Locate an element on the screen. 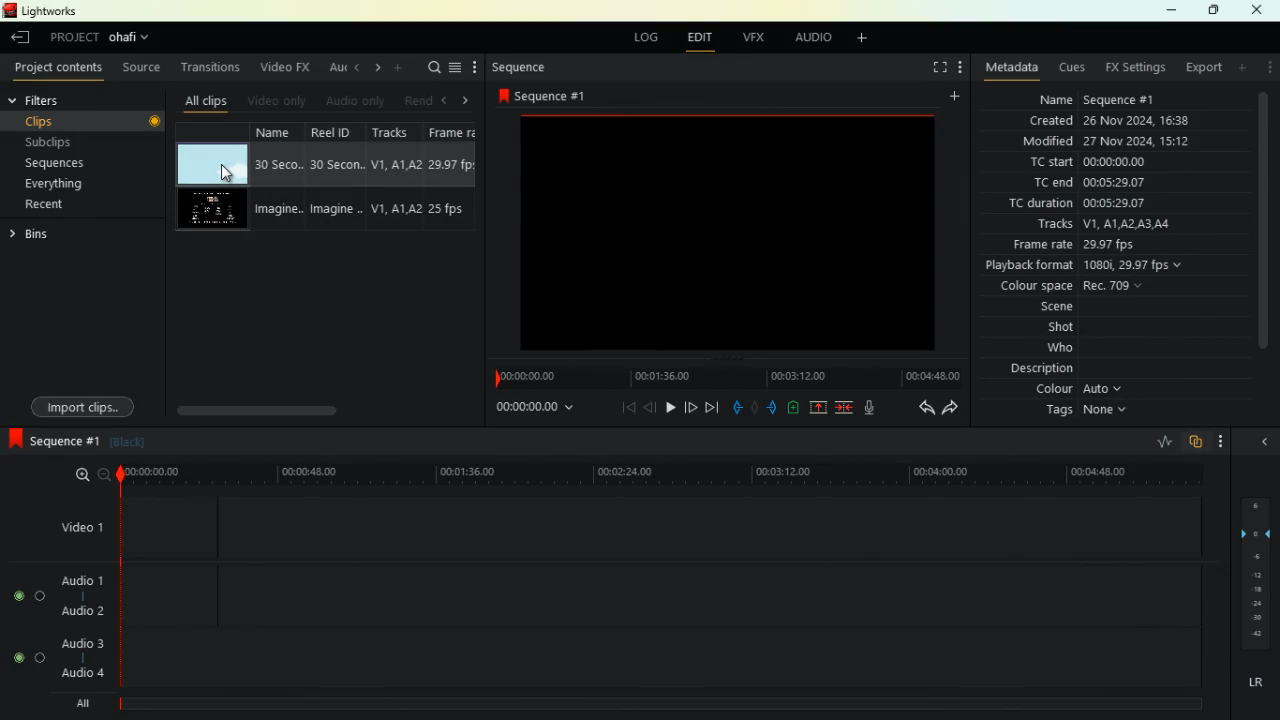 This screenshot has width=1280, height=720. menu is located at coordinates (456, 67).